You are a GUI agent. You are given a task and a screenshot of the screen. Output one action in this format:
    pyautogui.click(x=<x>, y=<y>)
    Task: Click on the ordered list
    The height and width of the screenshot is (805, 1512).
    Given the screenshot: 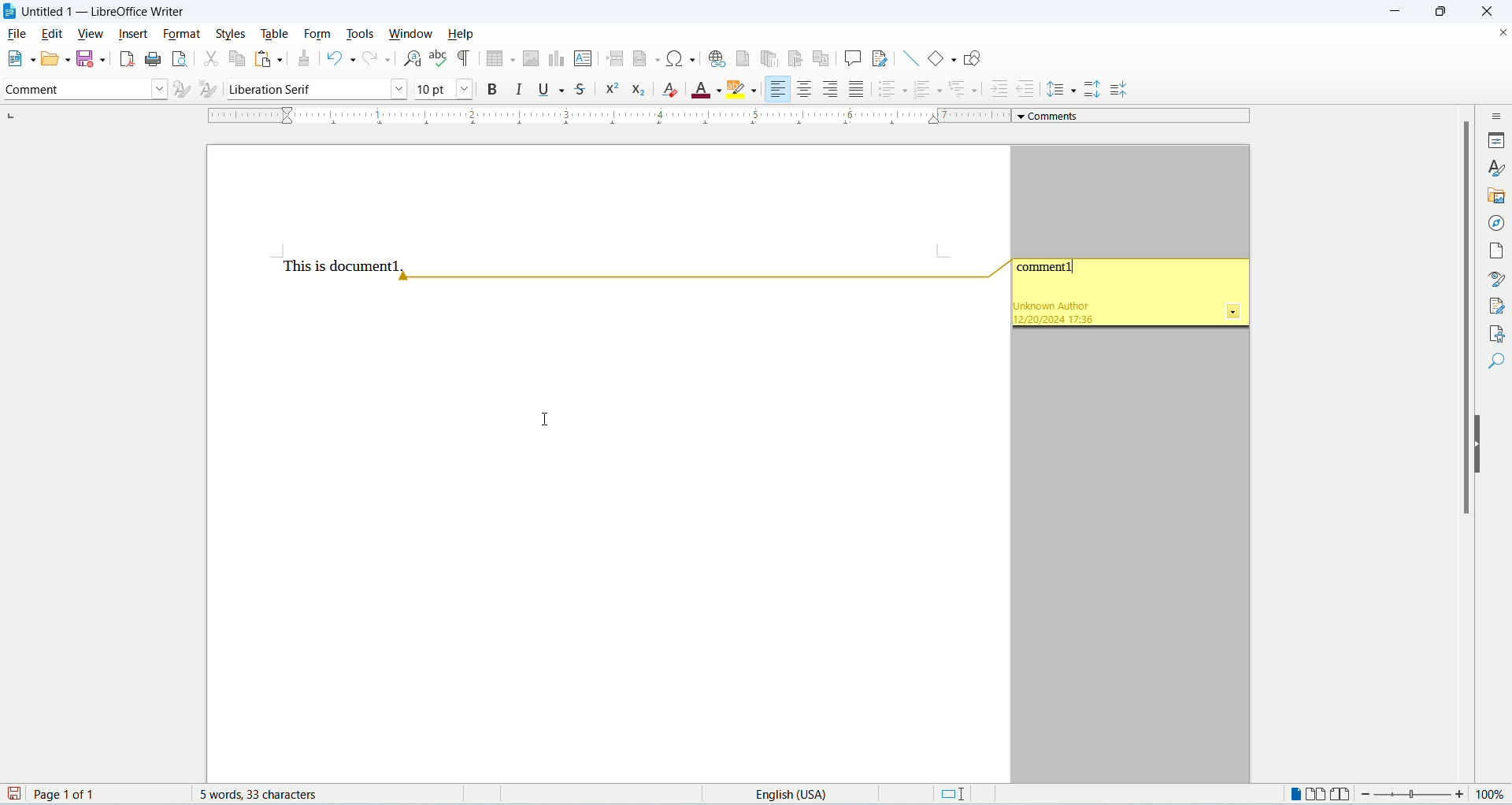 What is the action you would take?
    pyautogui.click(x=928, y=91)
    